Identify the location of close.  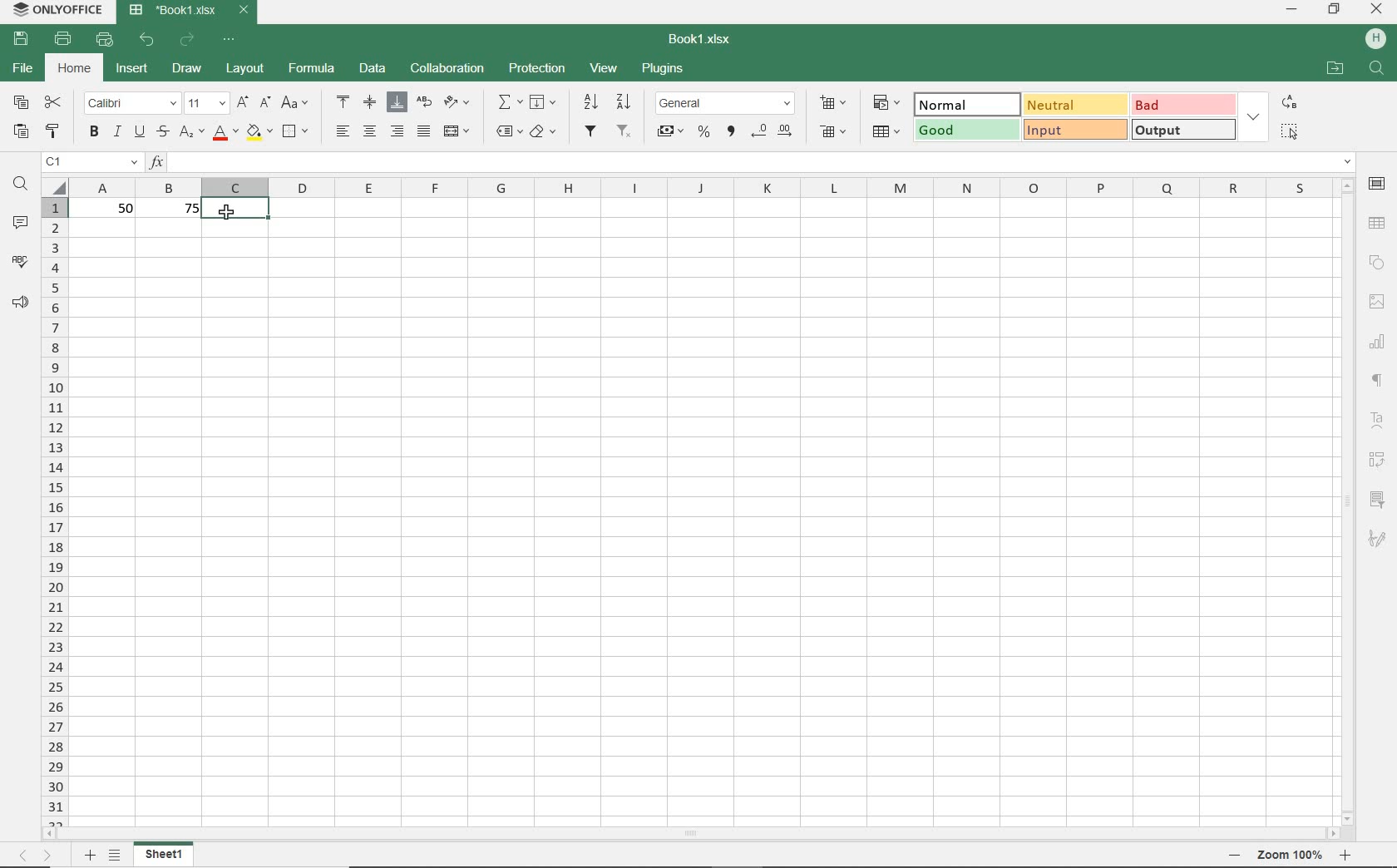
(1377, 11).